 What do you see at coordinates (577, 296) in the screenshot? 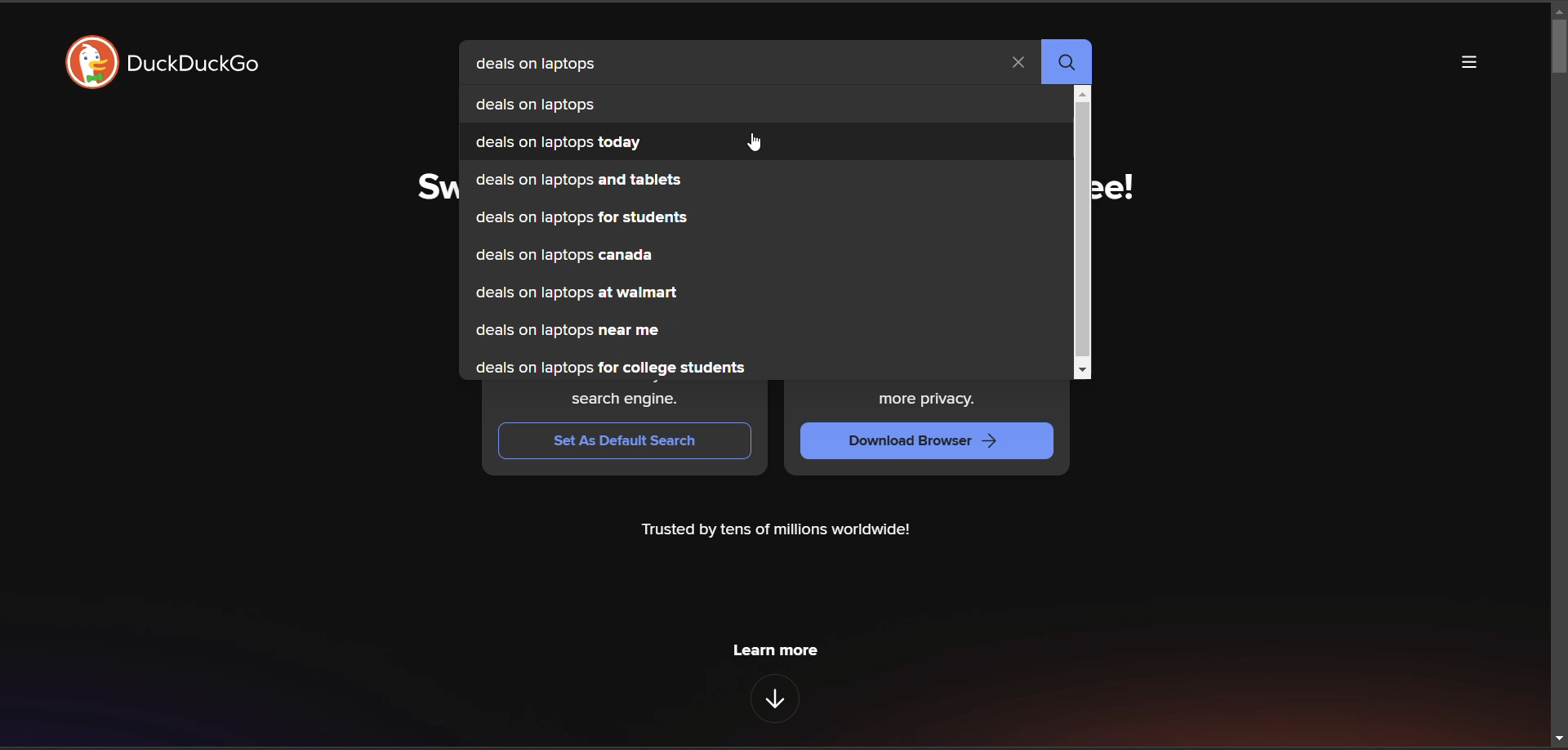
I see `deals on laptops at walmart` at bounding box center [577, 296].